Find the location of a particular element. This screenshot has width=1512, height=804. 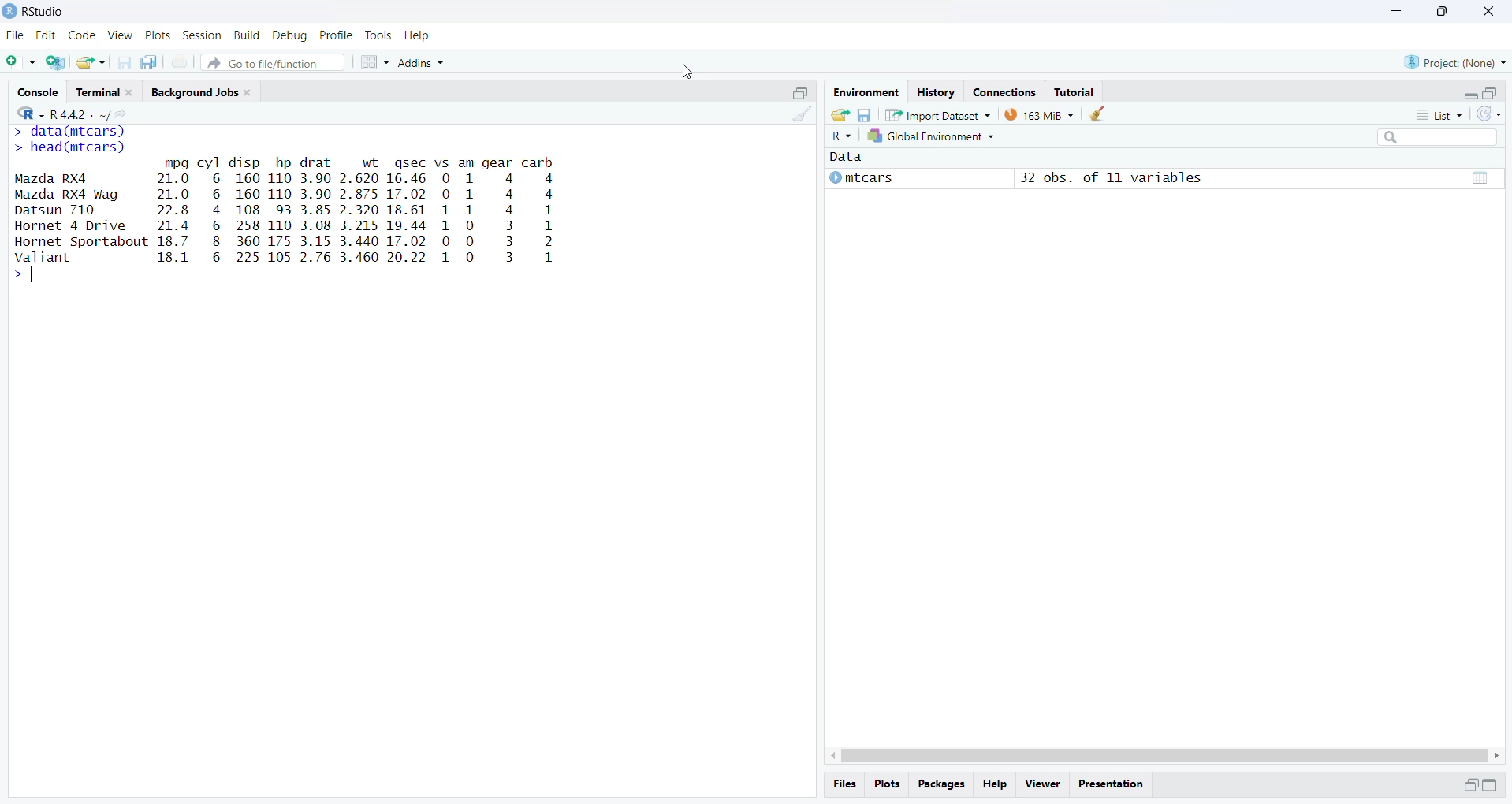

Tutorial is located at coordinates (1076, 92).